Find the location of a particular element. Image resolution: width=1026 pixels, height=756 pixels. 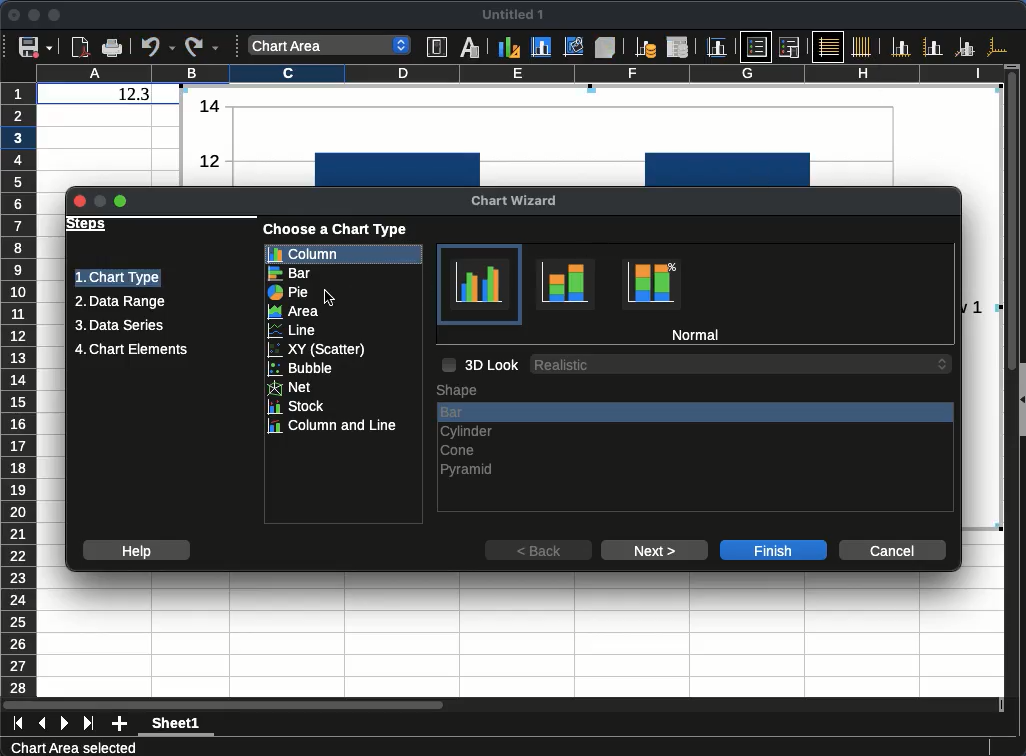

untitled 1 is located at coordinates (512, 15).